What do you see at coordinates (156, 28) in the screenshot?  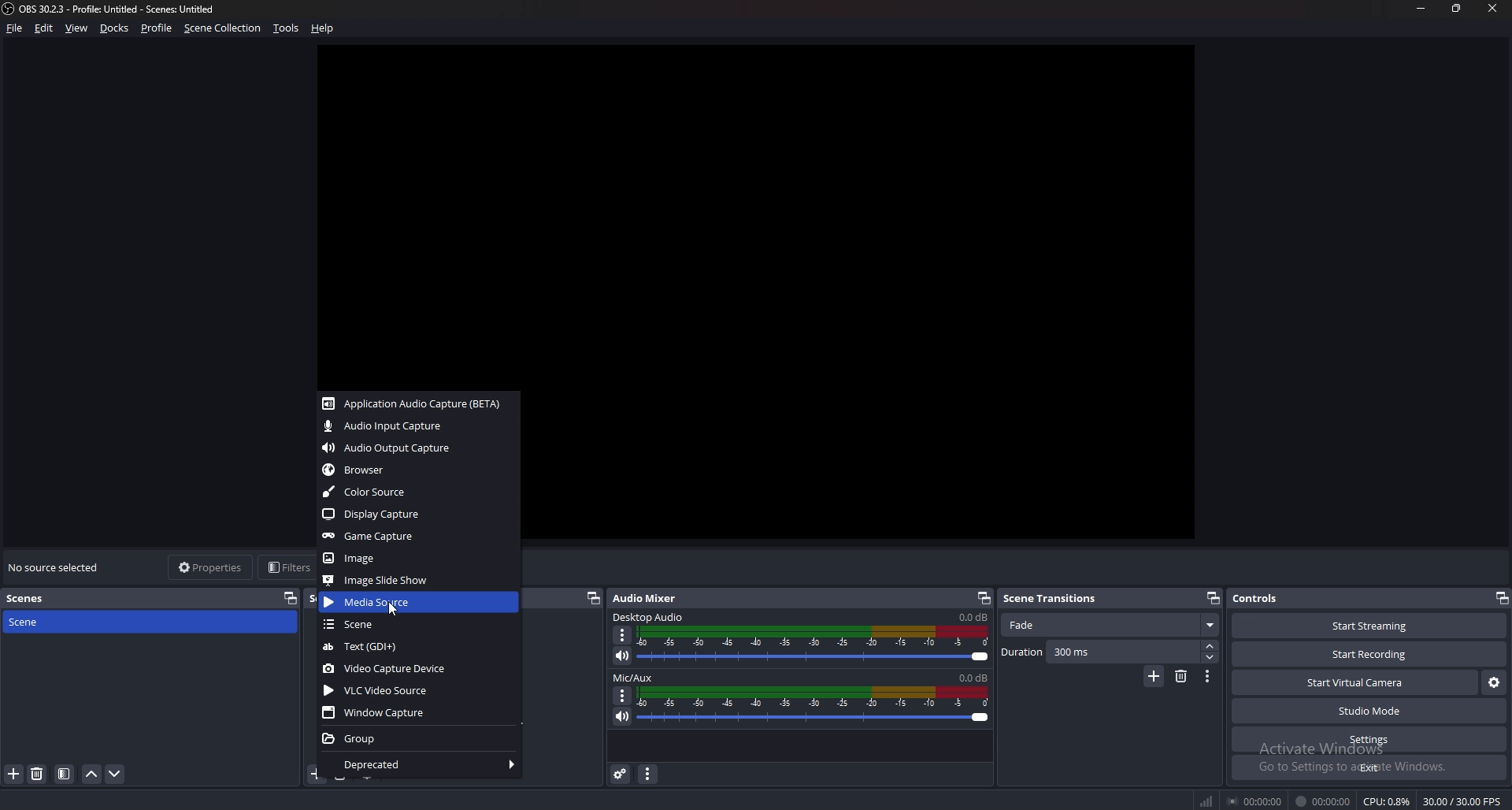 I see `Profile` at bounding box center [156, 28].